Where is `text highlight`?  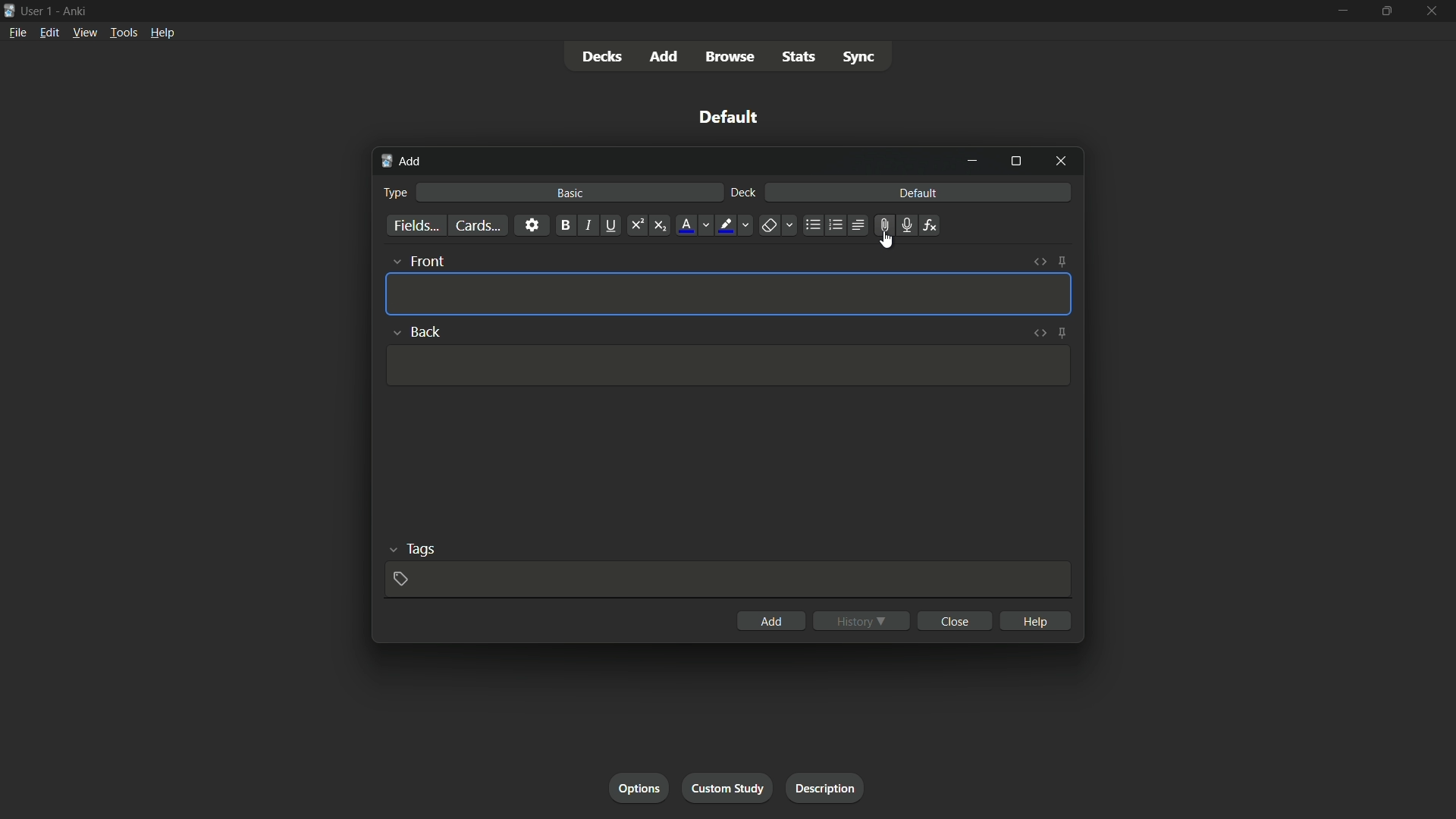
text highlight is located at coordinates (734, 225).